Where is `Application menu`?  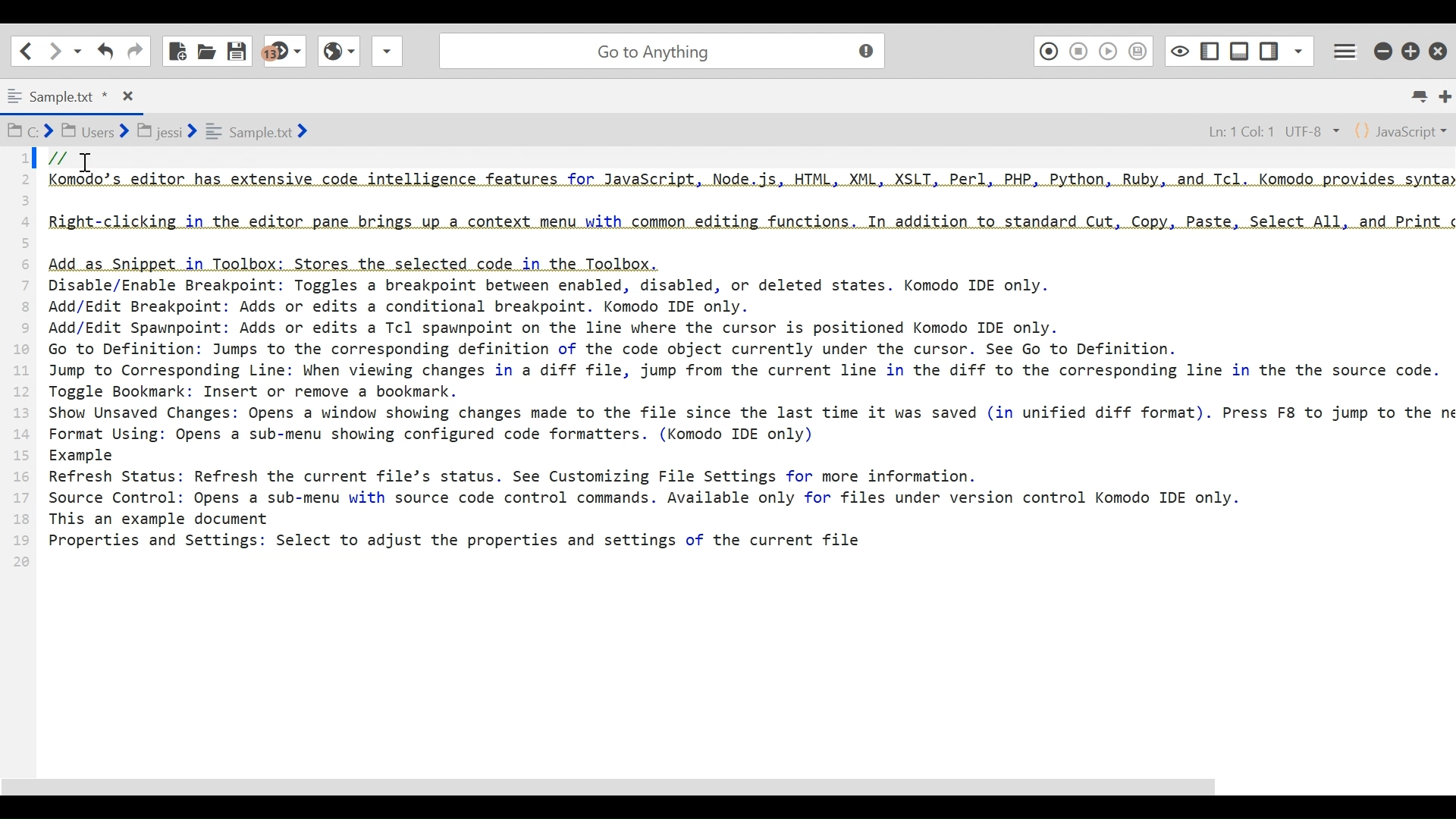
Application menu is located at coordinates (1348, 49).